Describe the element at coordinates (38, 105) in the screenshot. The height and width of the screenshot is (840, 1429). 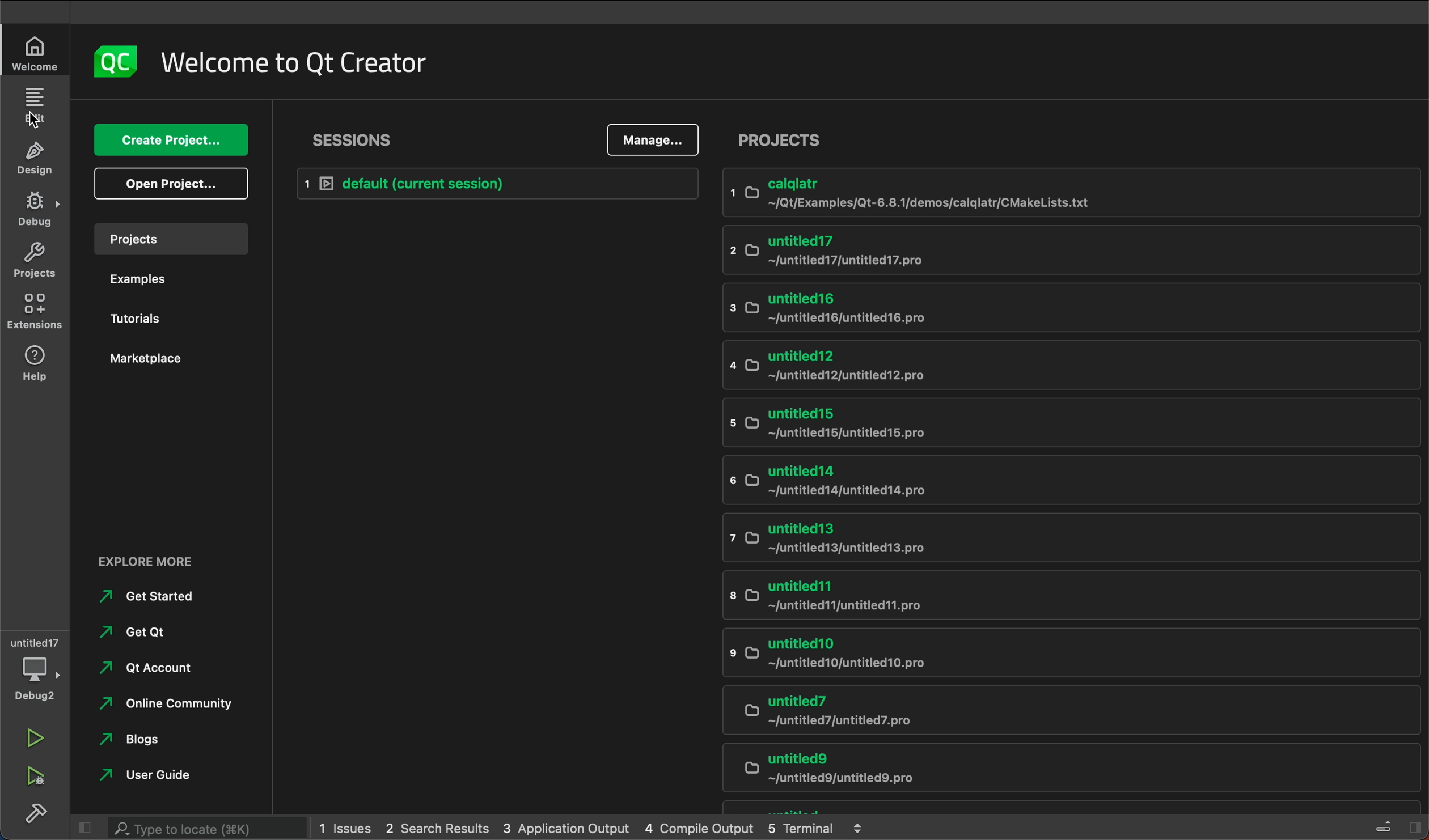
I see `editor` at that location.